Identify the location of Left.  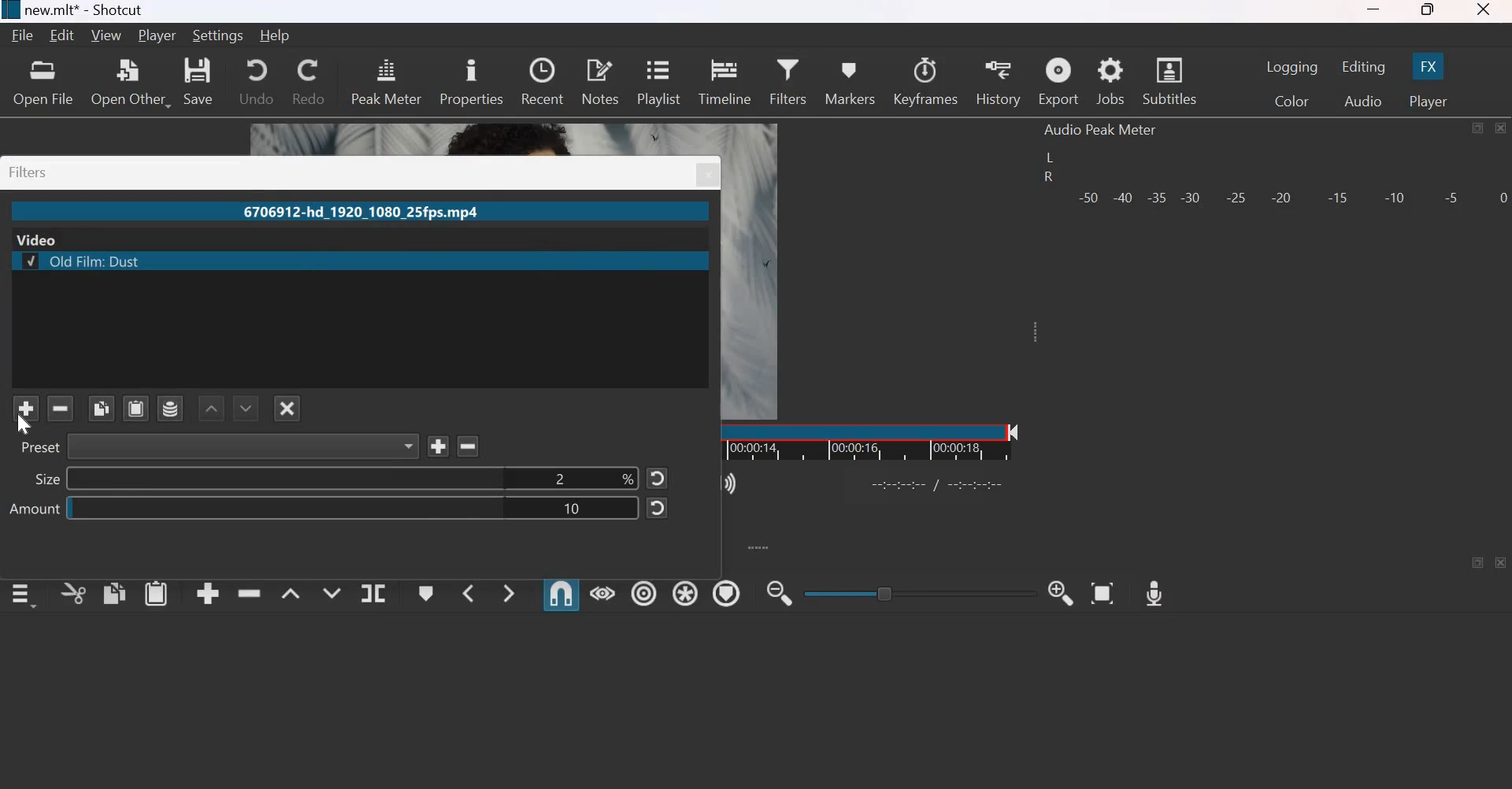
(1049, 157).